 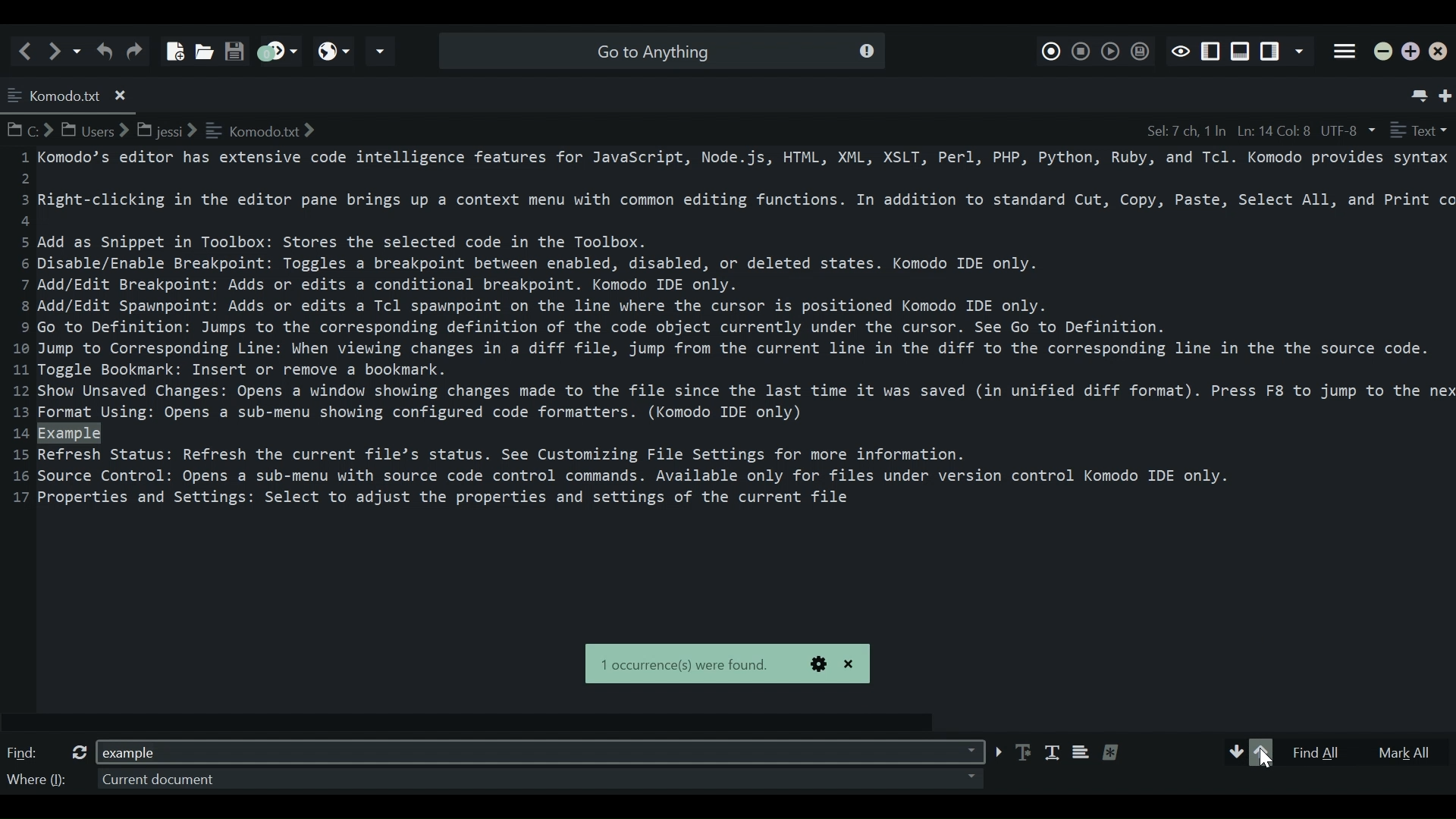 I want to click on Search, so click(x=659, y=50).